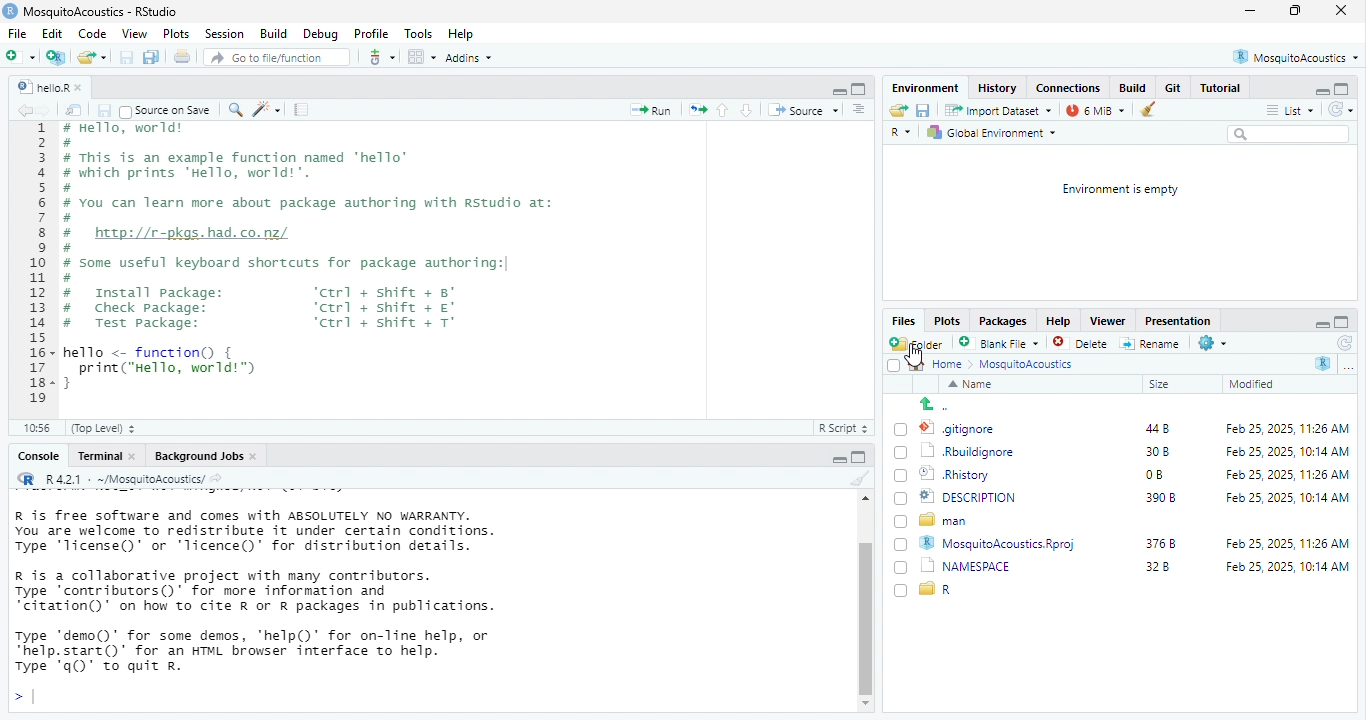 The image size is (1366, 720). I want to click on typing cursor, so click(30, 696).